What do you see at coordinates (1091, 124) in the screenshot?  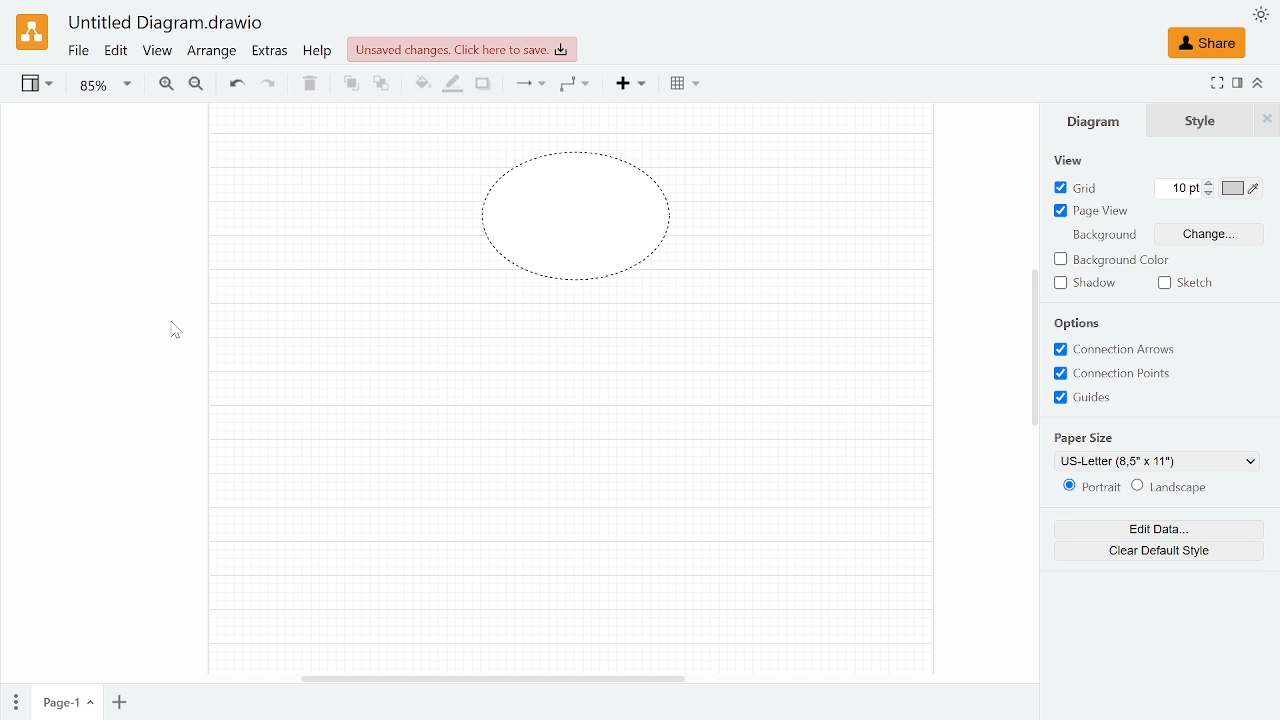 I see `Diagram` at bounding box center [1091, 124].